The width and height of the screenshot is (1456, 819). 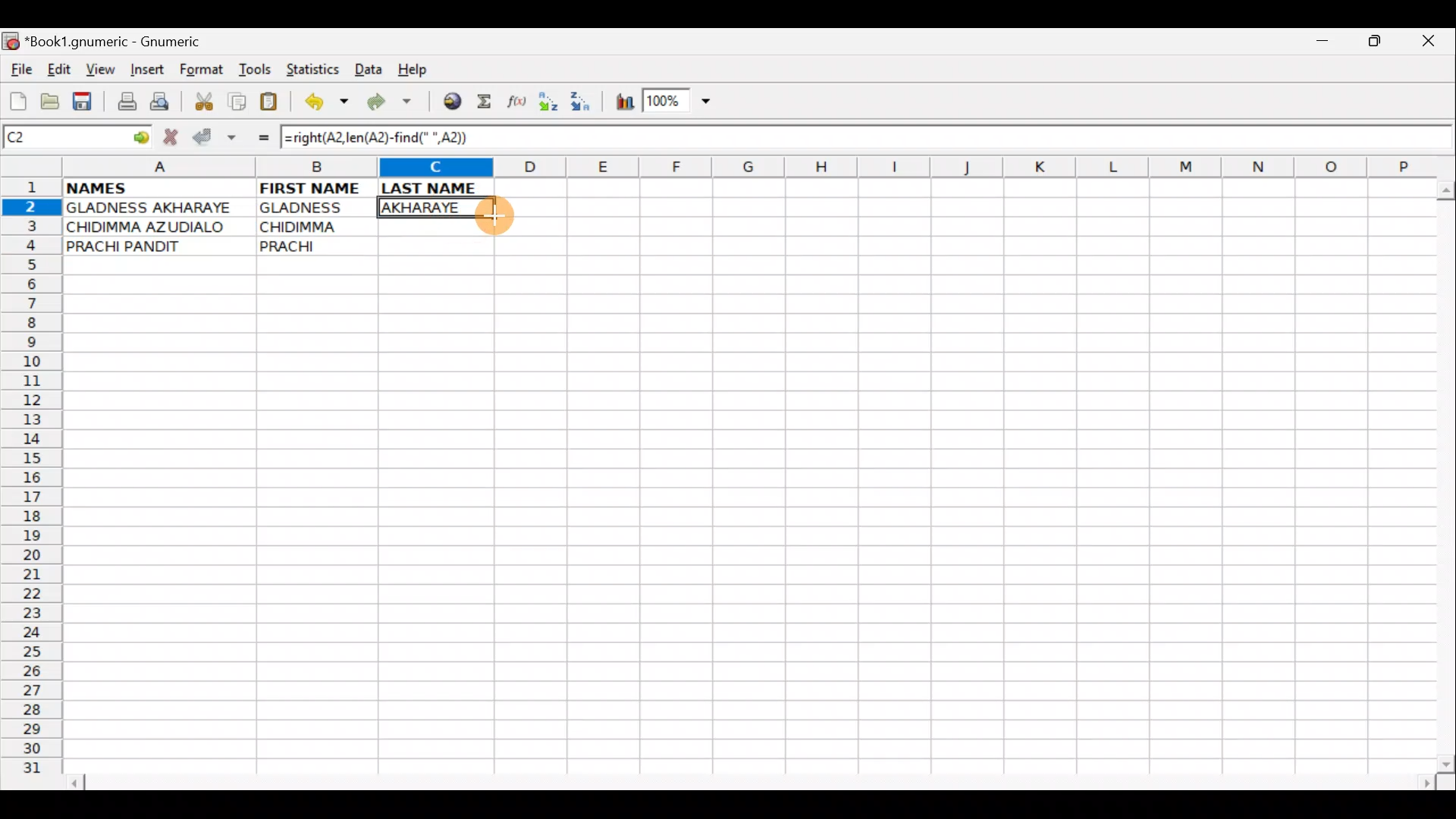 What do you see at coordinates (215, 137) in the screenshot?
I see `Accept change` at bounding box center [215, 137].